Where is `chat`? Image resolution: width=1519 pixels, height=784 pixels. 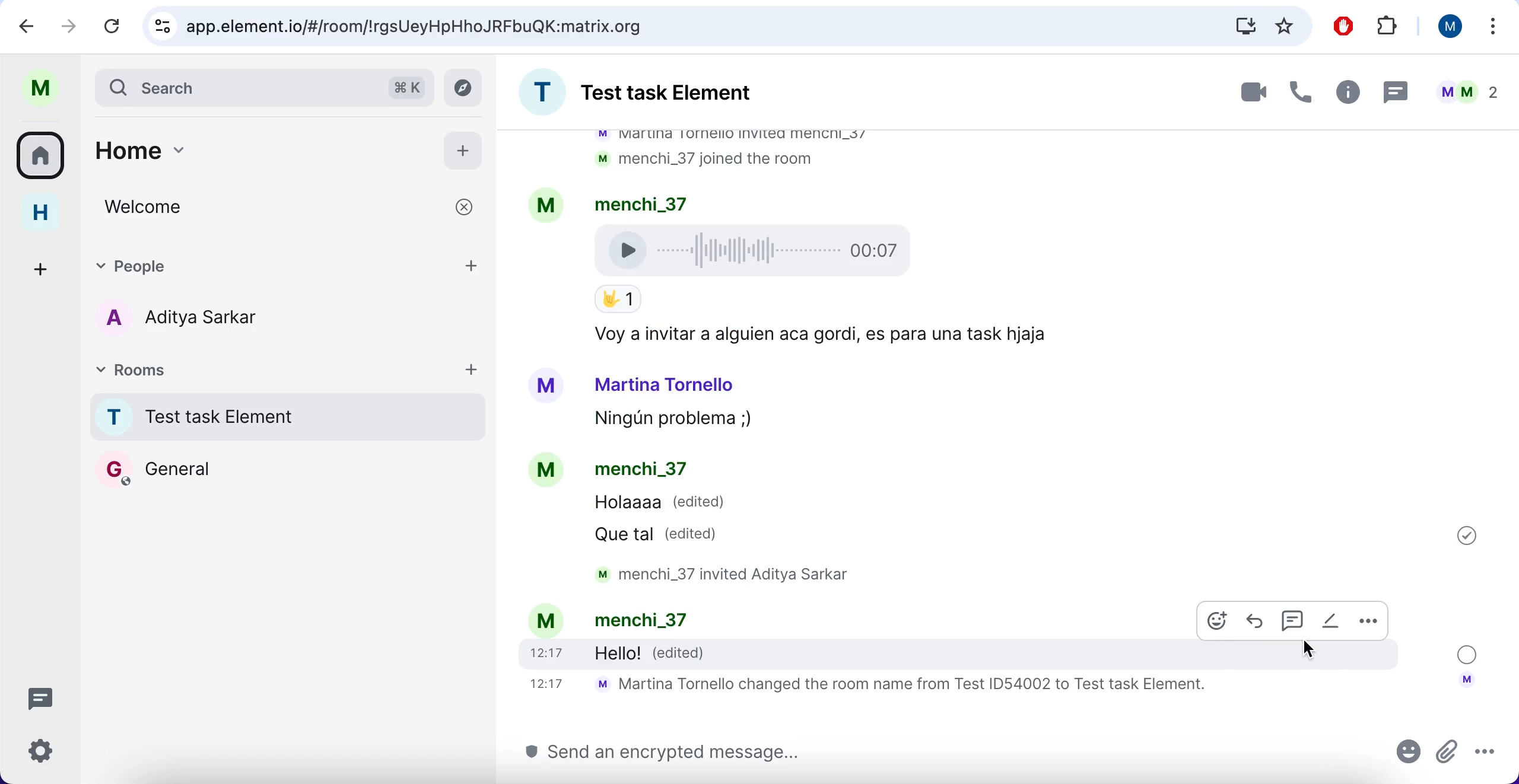
chat is located at coordinates (1006, 356).